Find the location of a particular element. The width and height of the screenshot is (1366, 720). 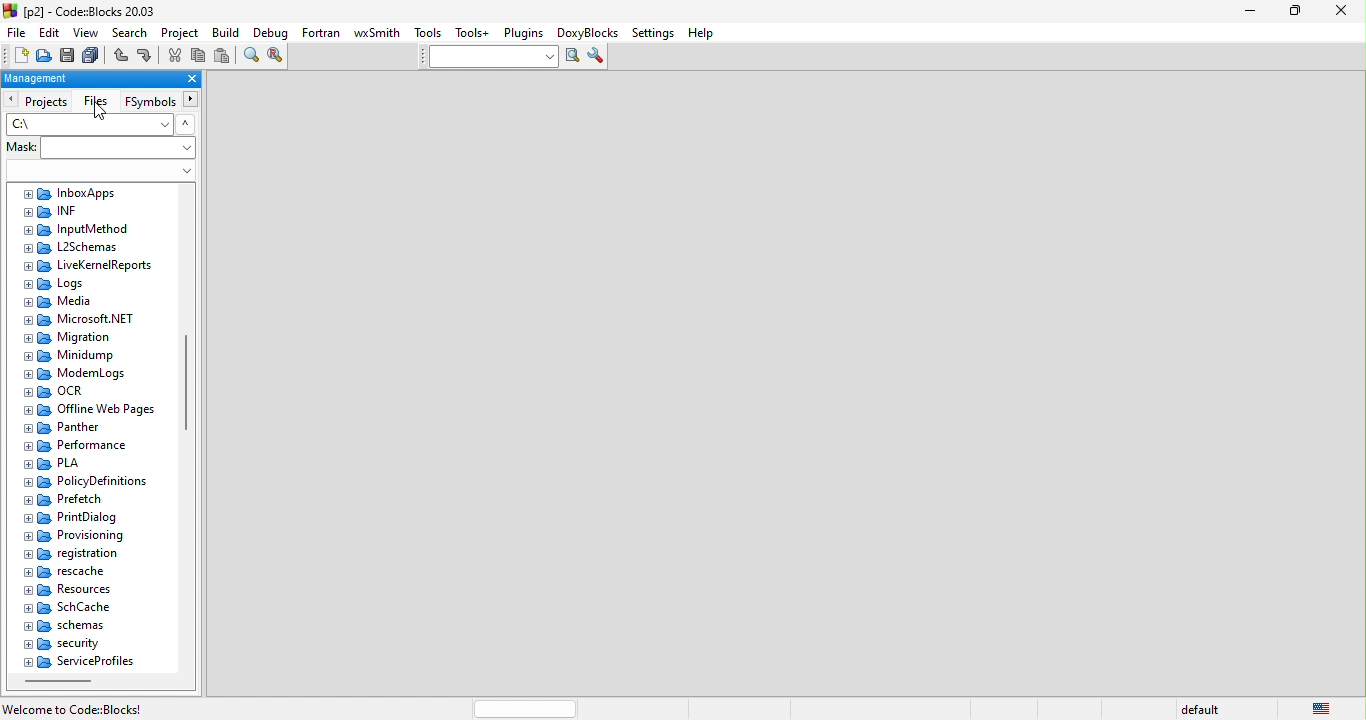

wxsmith is located at coordinates (377, 33).